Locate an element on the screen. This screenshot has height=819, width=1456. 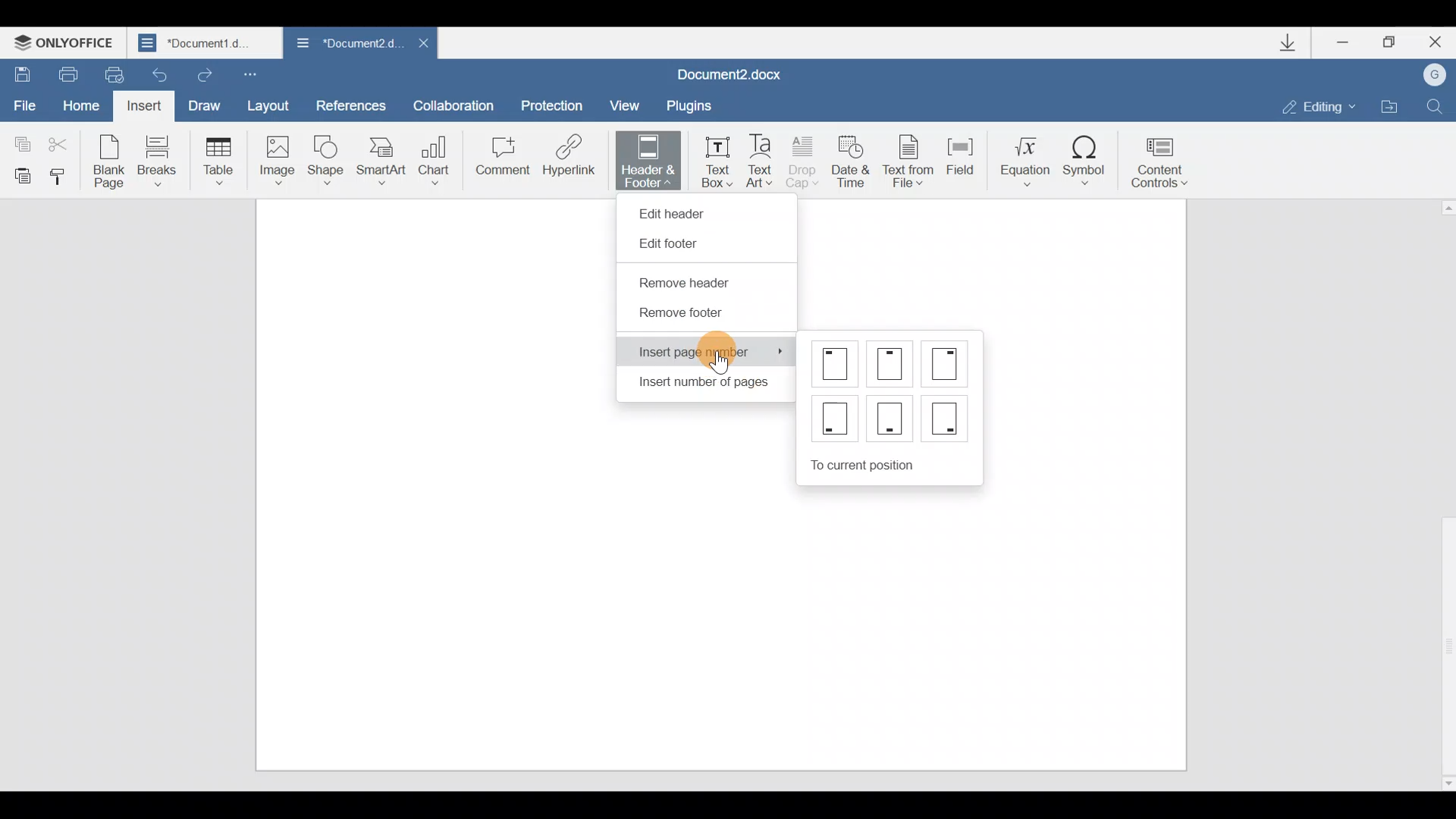
Document2.docx is located at coordinates (742, 71).